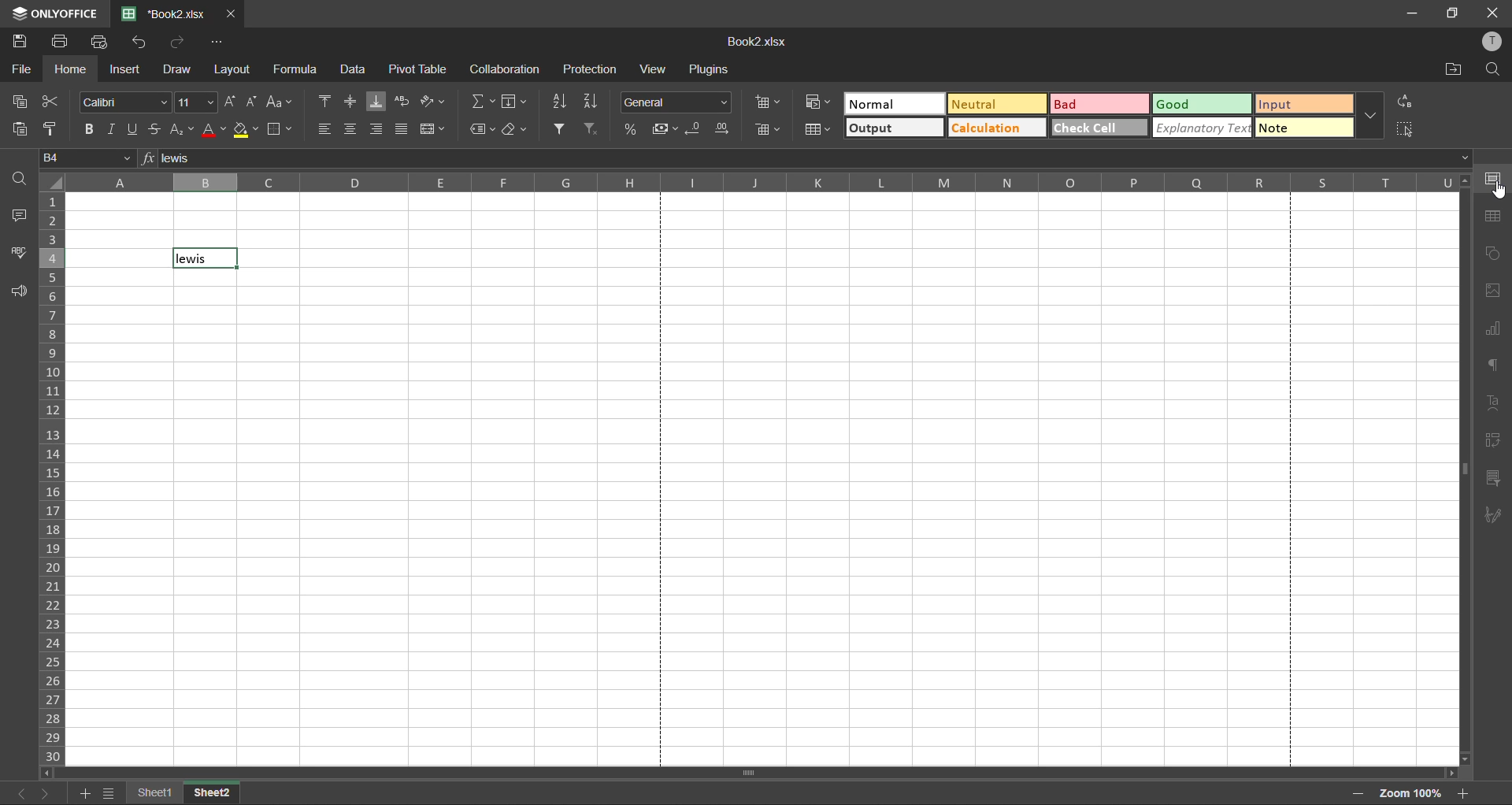 This screenshot has width=1512, height=805. What do you see at coordinates (402, 128) in the screenshot?
I see `justified` at bounding box center [402, 128].